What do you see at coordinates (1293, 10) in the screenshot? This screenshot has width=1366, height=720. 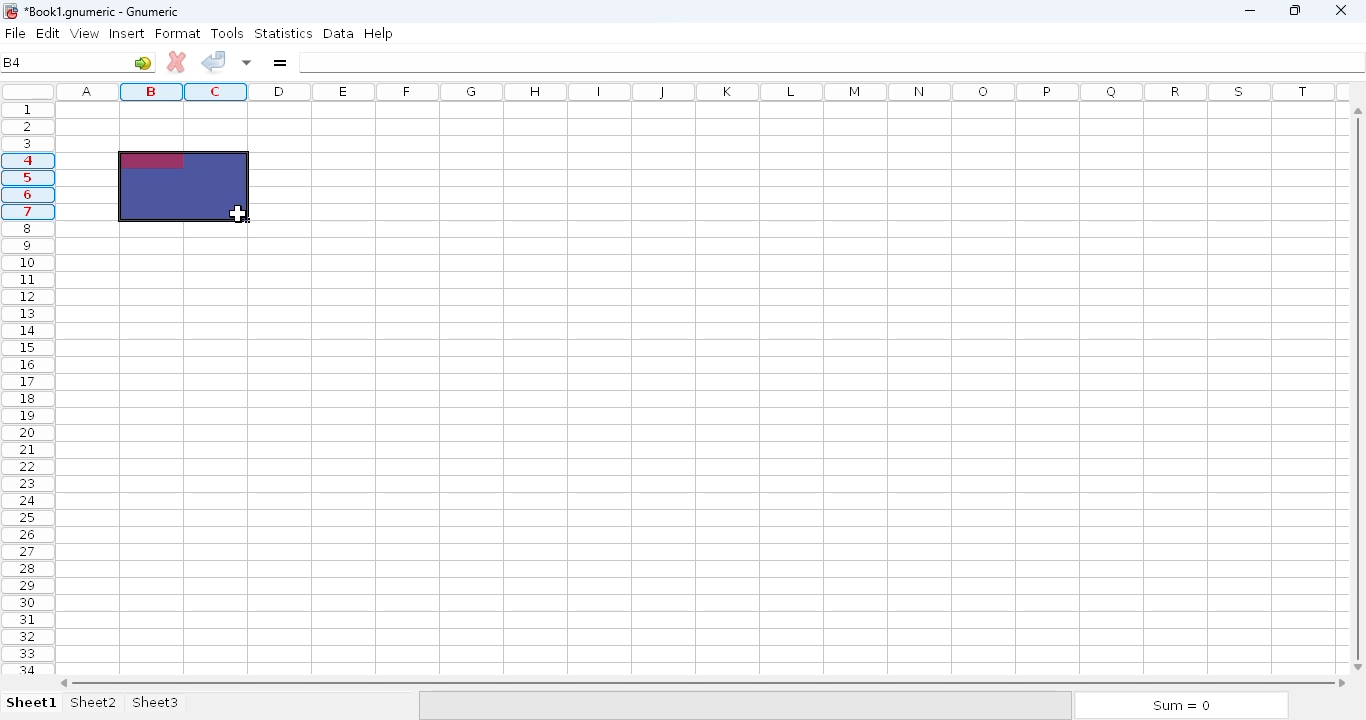 I see `maximize` at bounding box center [1293, 10].